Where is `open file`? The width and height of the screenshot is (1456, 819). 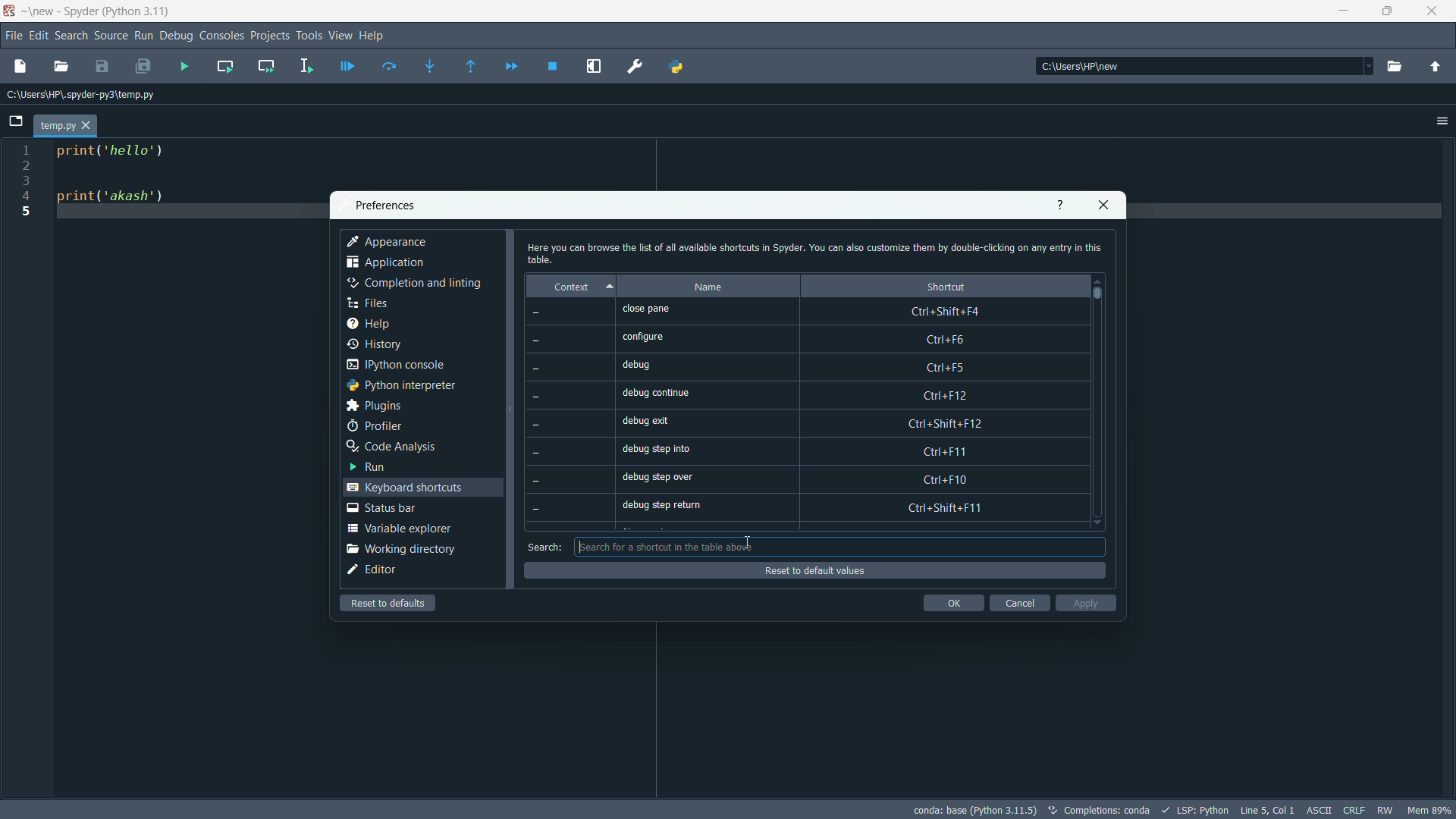 open file is located at coordinates (64, 66).